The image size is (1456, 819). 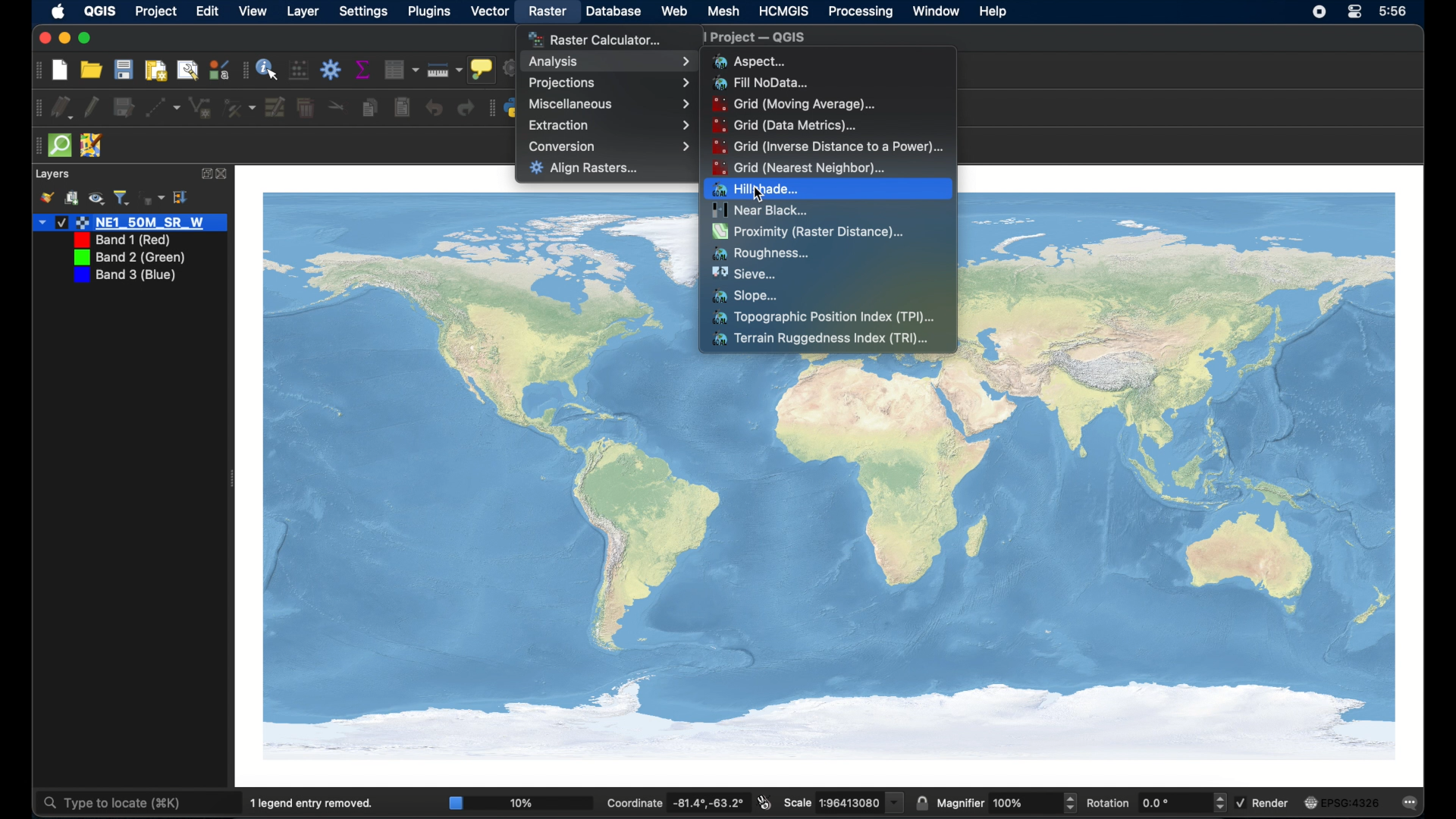 What do you see at coordinates (156, 12) in the screenshot?
I see `project` at bounding box center [156, 12].